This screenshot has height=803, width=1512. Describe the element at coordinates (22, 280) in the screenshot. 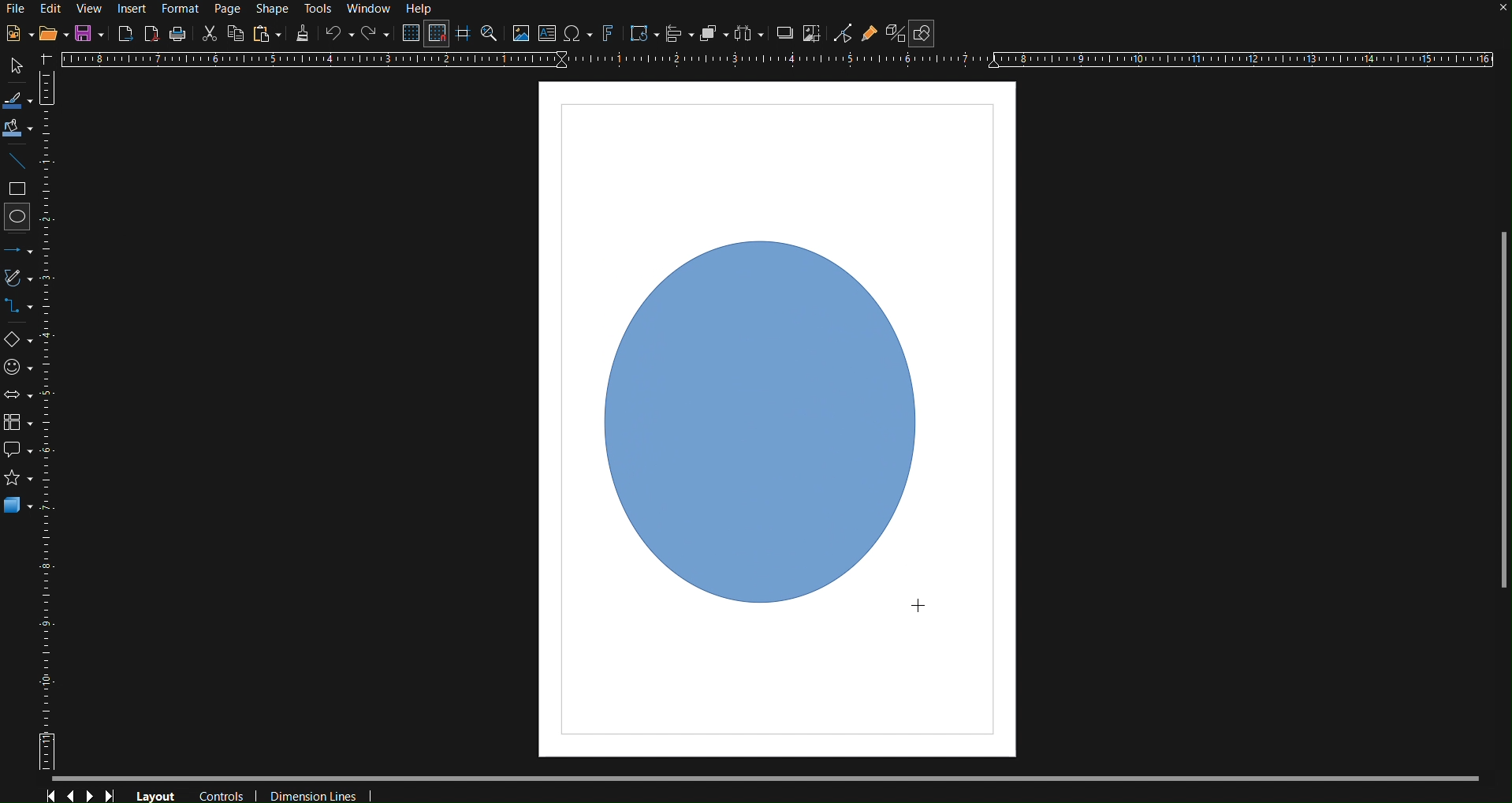

I see `Curves and Polygons` at that location.